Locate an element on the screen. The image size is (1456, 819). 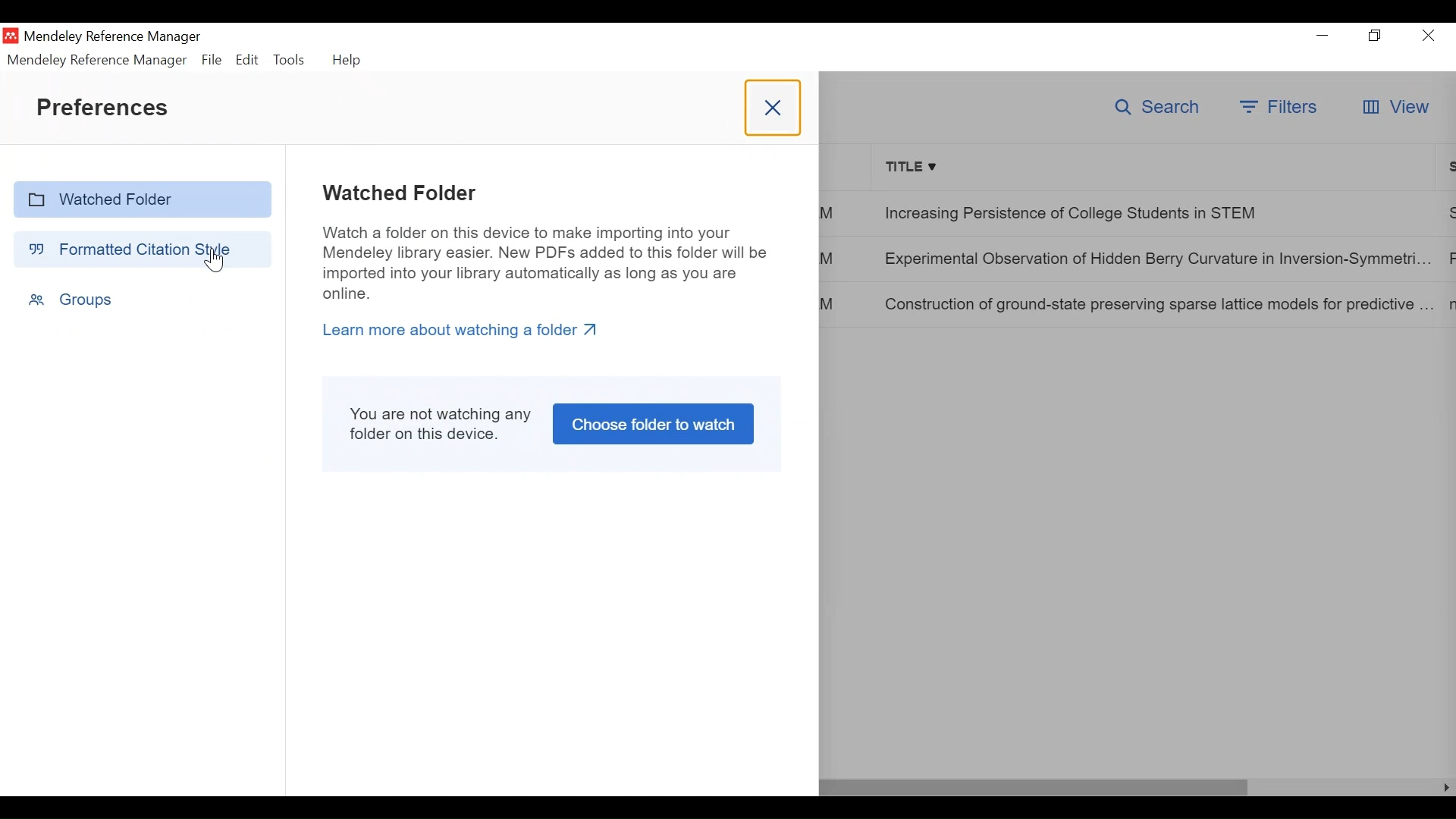
File is located at coordinates (211, 60).